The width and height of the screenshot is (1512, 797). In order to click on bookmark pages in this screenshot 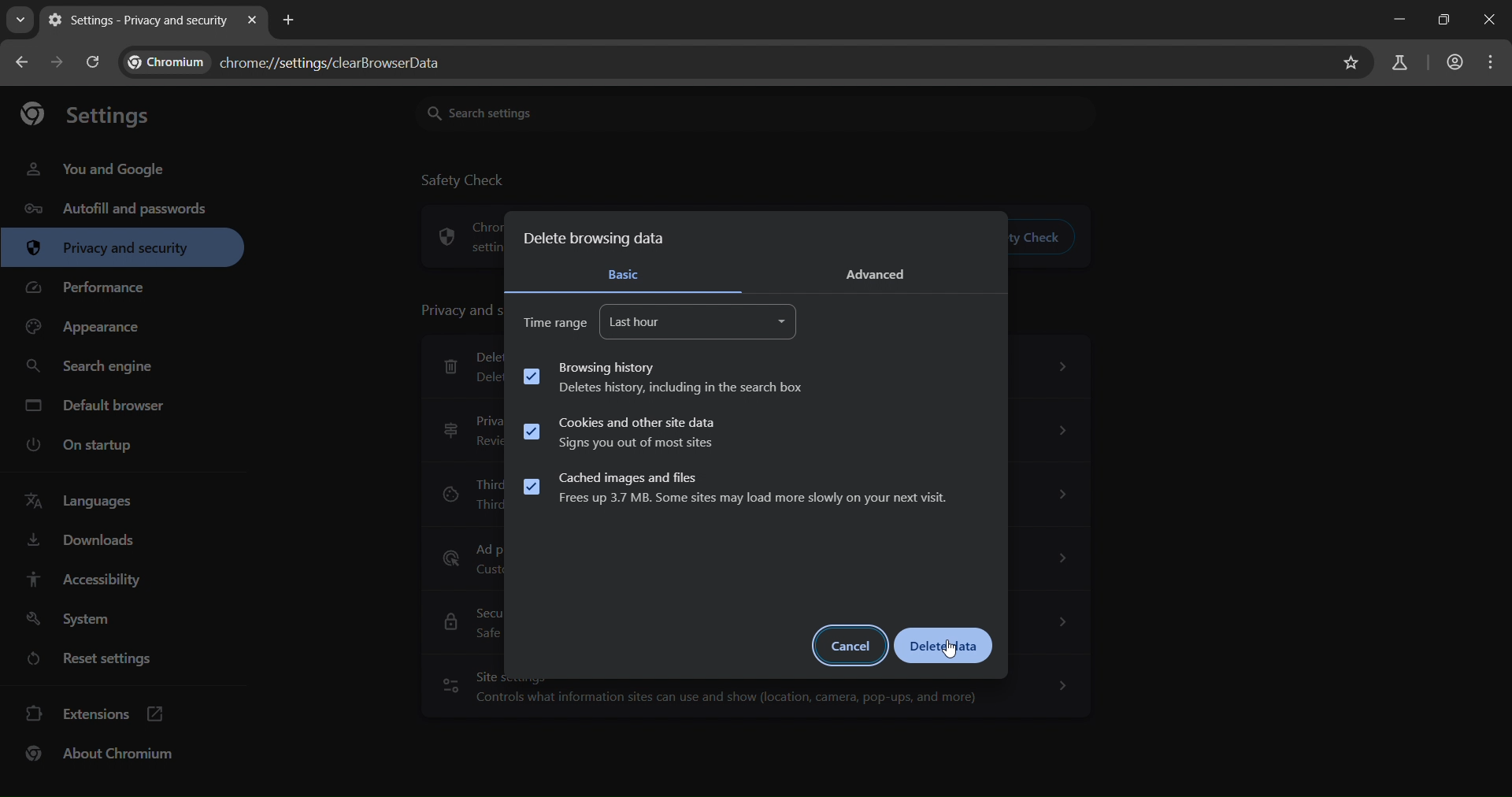, I will do `click(1350, 65)`.